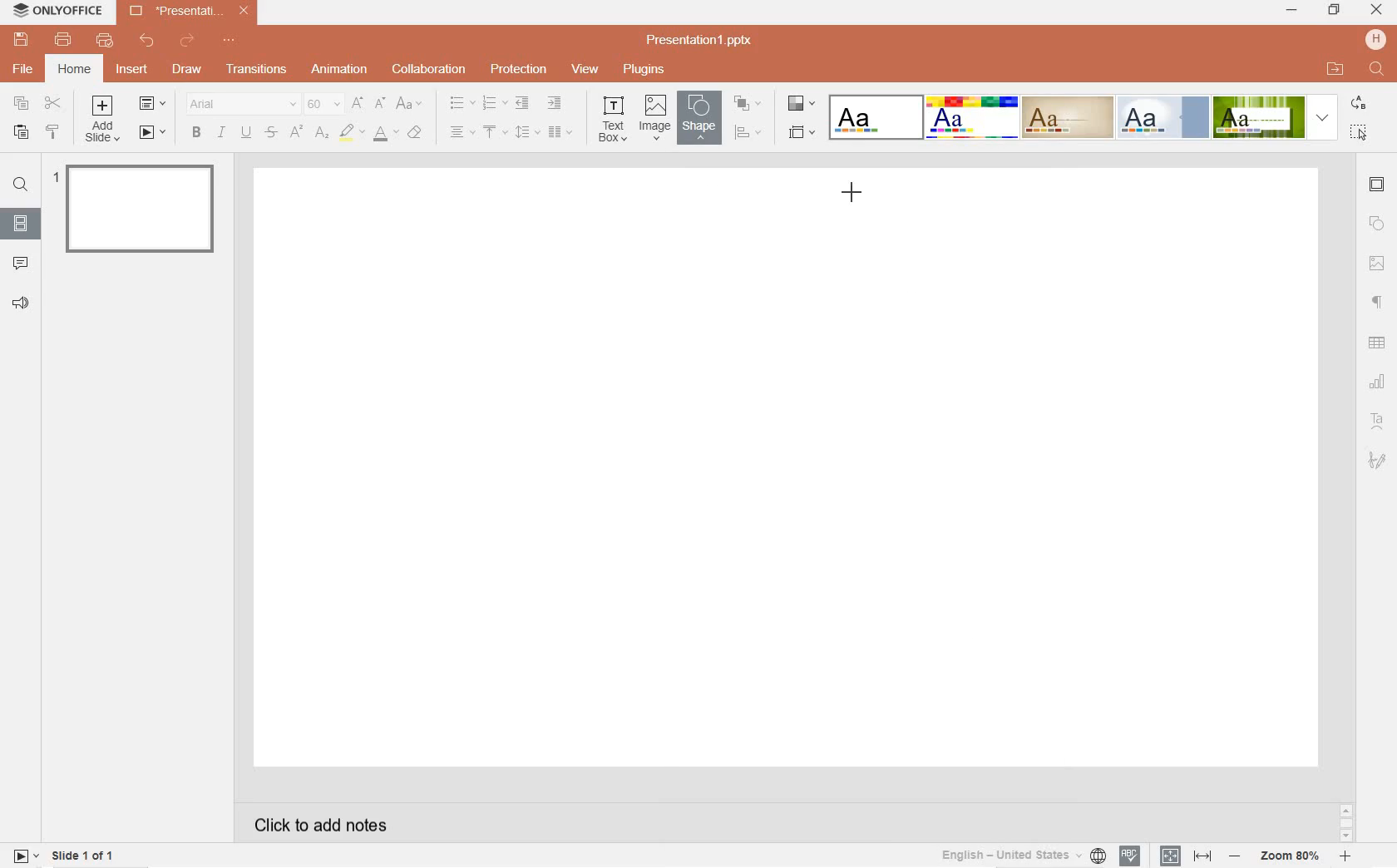  Describe the element at coordinates (1336, 69) in the screenshot. I see `OPEN FILE LOCATION` at that location.